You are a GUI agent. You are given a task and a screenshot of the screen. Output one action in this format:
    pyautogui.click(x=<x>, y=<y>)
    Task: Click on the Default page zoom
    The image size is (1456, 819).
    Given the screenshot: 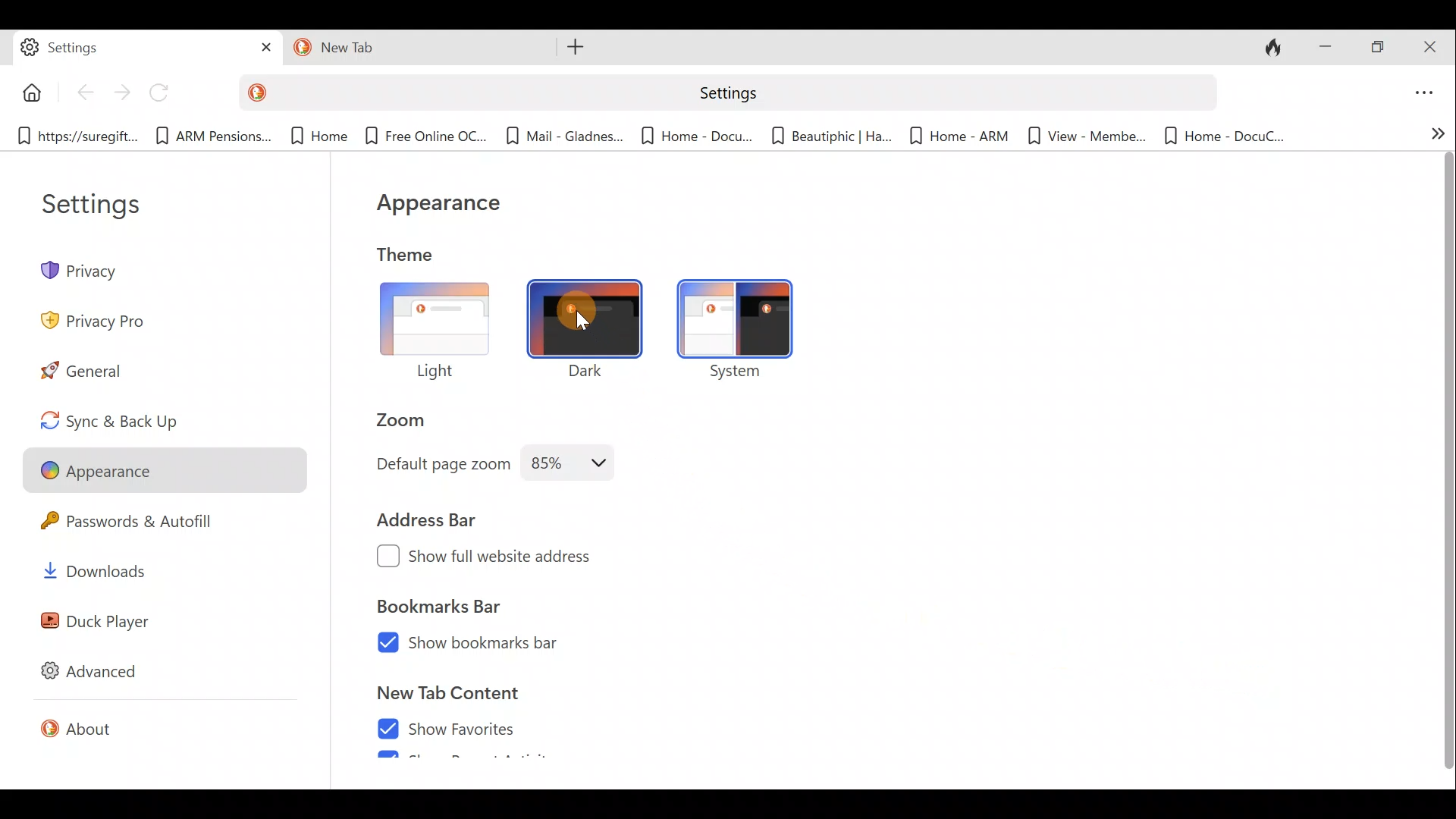 What is the action you would take?
    pyautogui.click(x=488, y=467)
    